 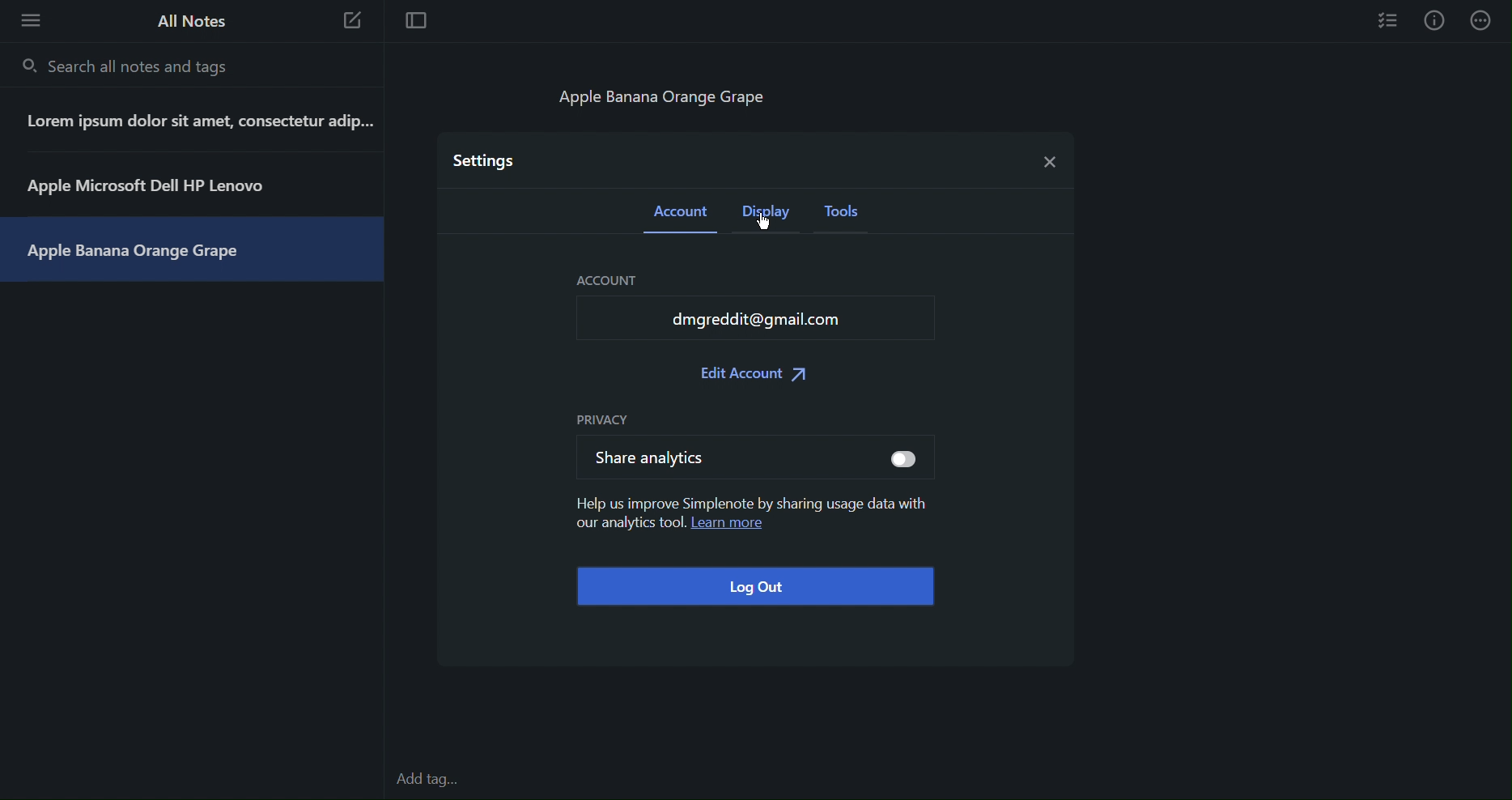 What do you see at coordinates (138, 251) in the screenshot?
I see `Apple Banana Orange Grape` at bounding box center [138, 251].